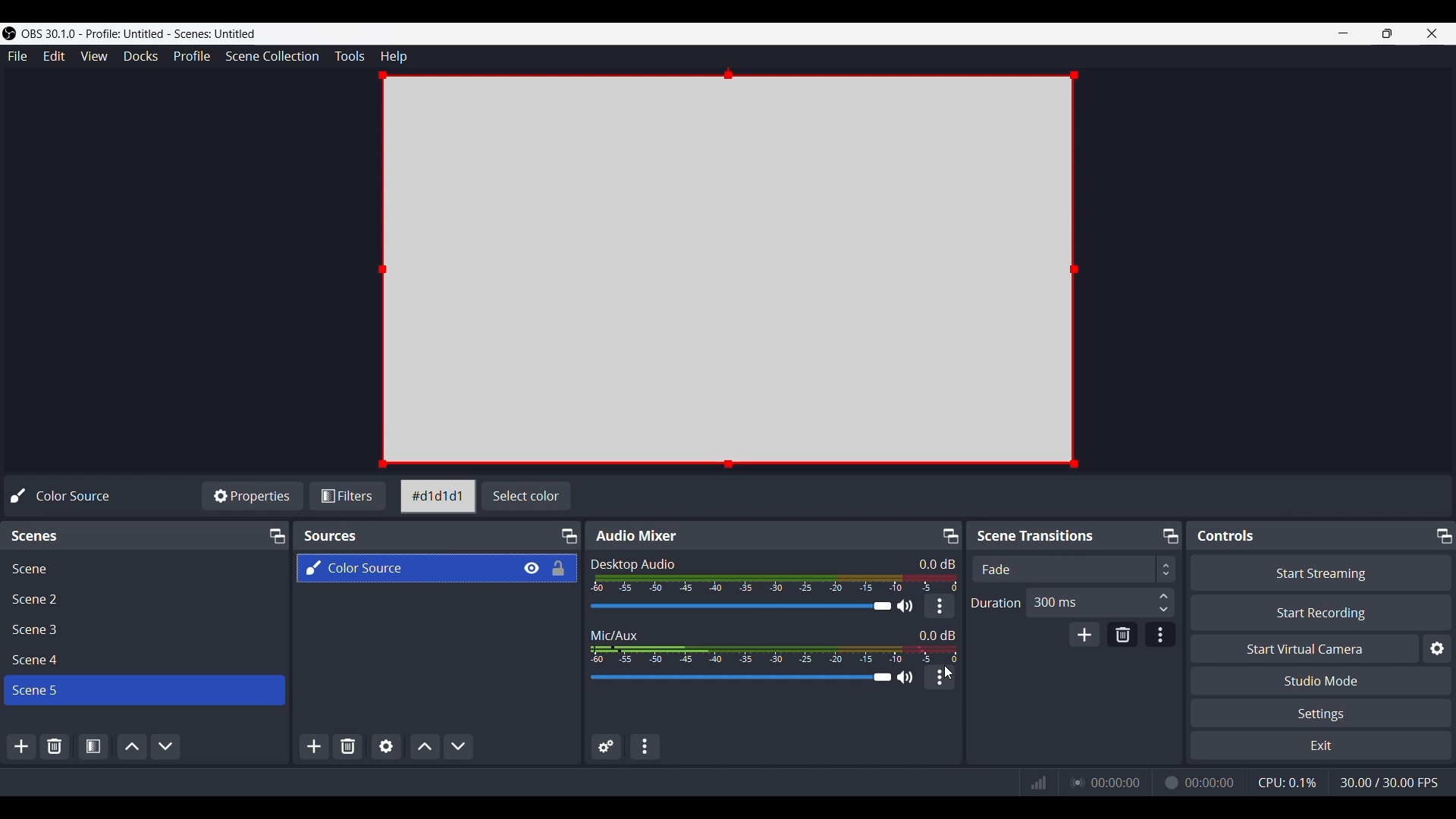 This screenshot has height=819, width=1456. I want to click on Start Streaming, so click(1319, 571).